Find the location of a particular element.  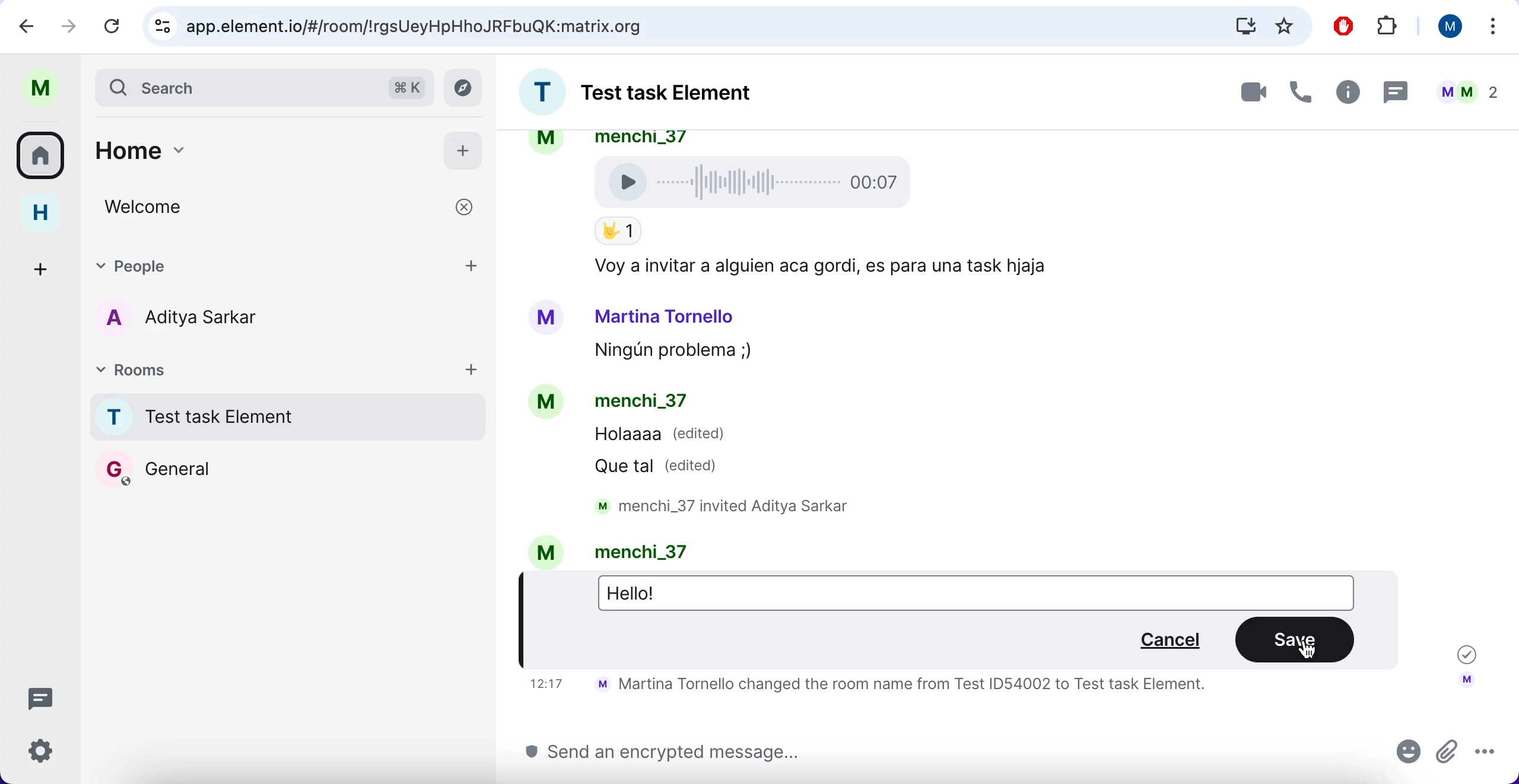

chat room 1 is located at coordinates (287, 419).